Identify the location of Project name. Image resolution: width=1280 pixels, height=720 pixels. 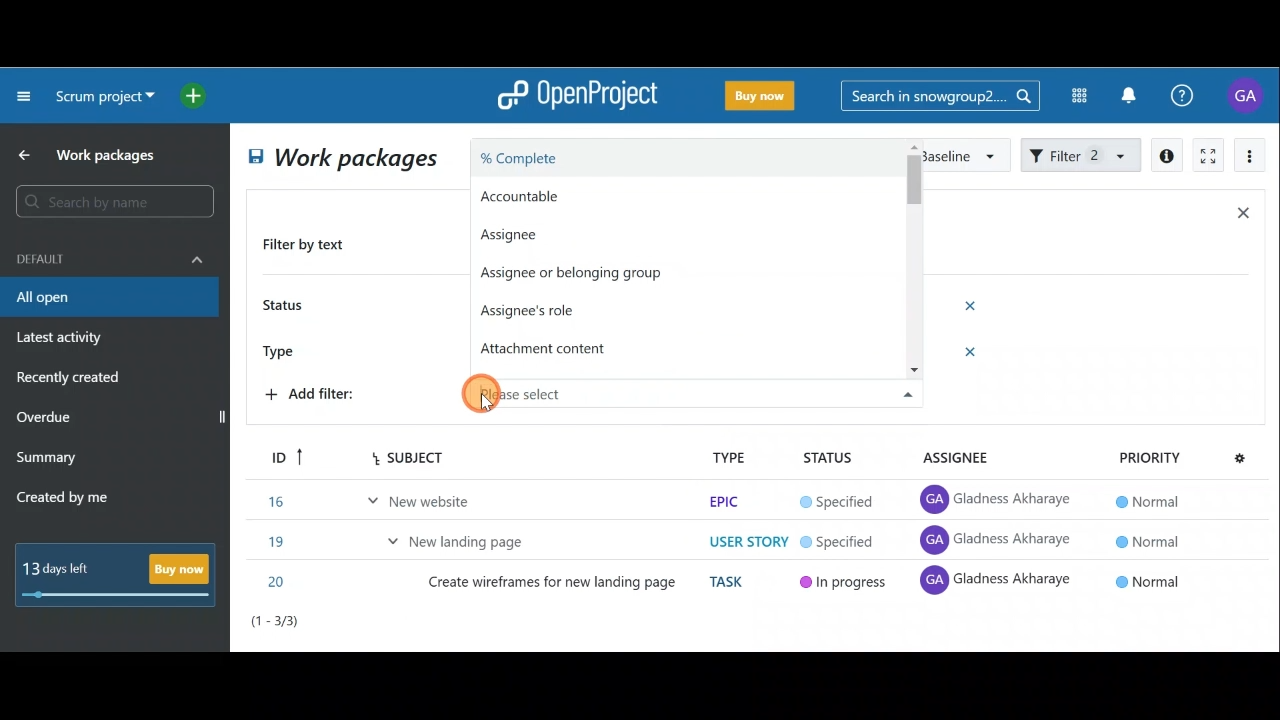
(102, 98).